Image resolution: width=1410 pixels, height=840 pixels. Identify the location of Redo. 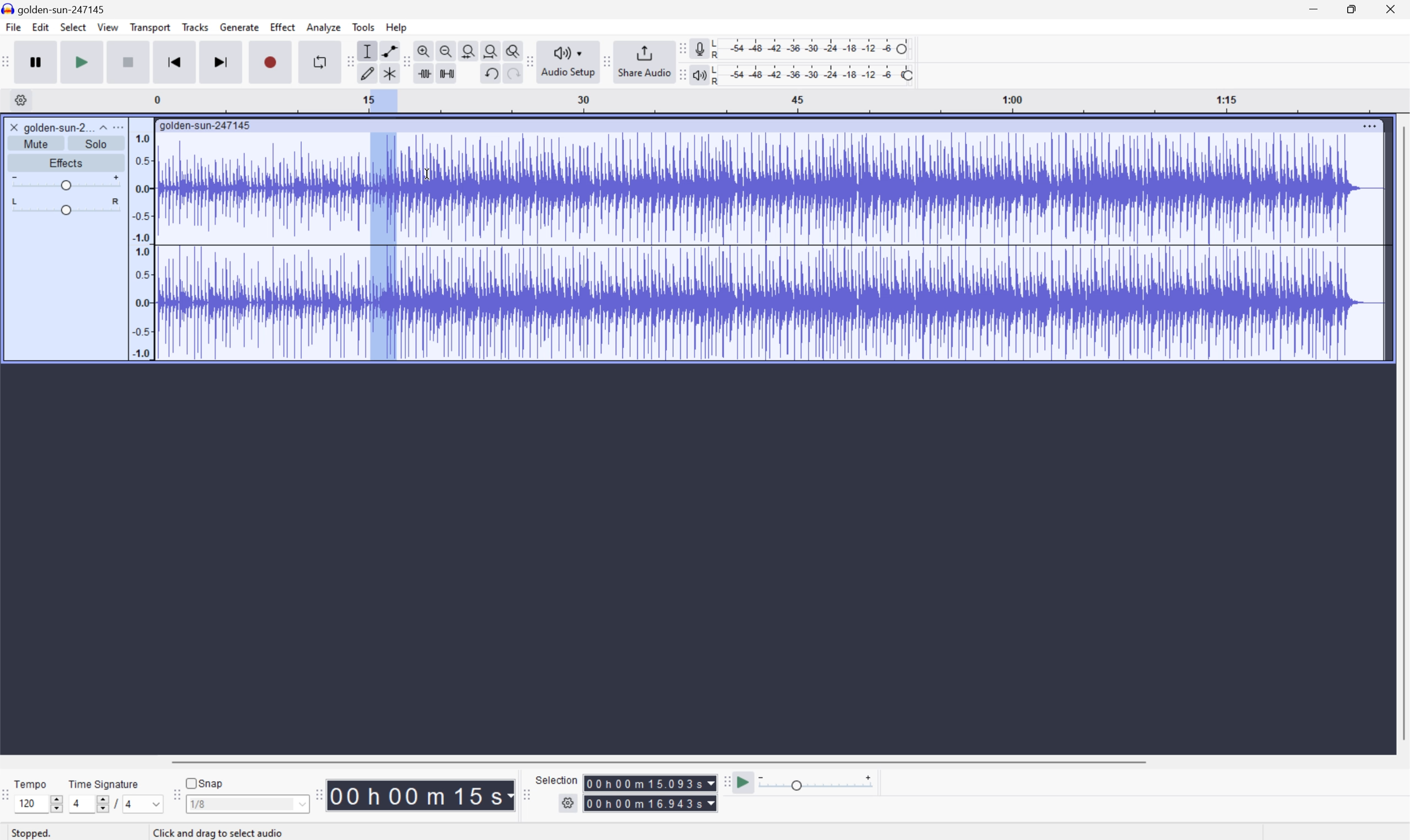
(511, 78).